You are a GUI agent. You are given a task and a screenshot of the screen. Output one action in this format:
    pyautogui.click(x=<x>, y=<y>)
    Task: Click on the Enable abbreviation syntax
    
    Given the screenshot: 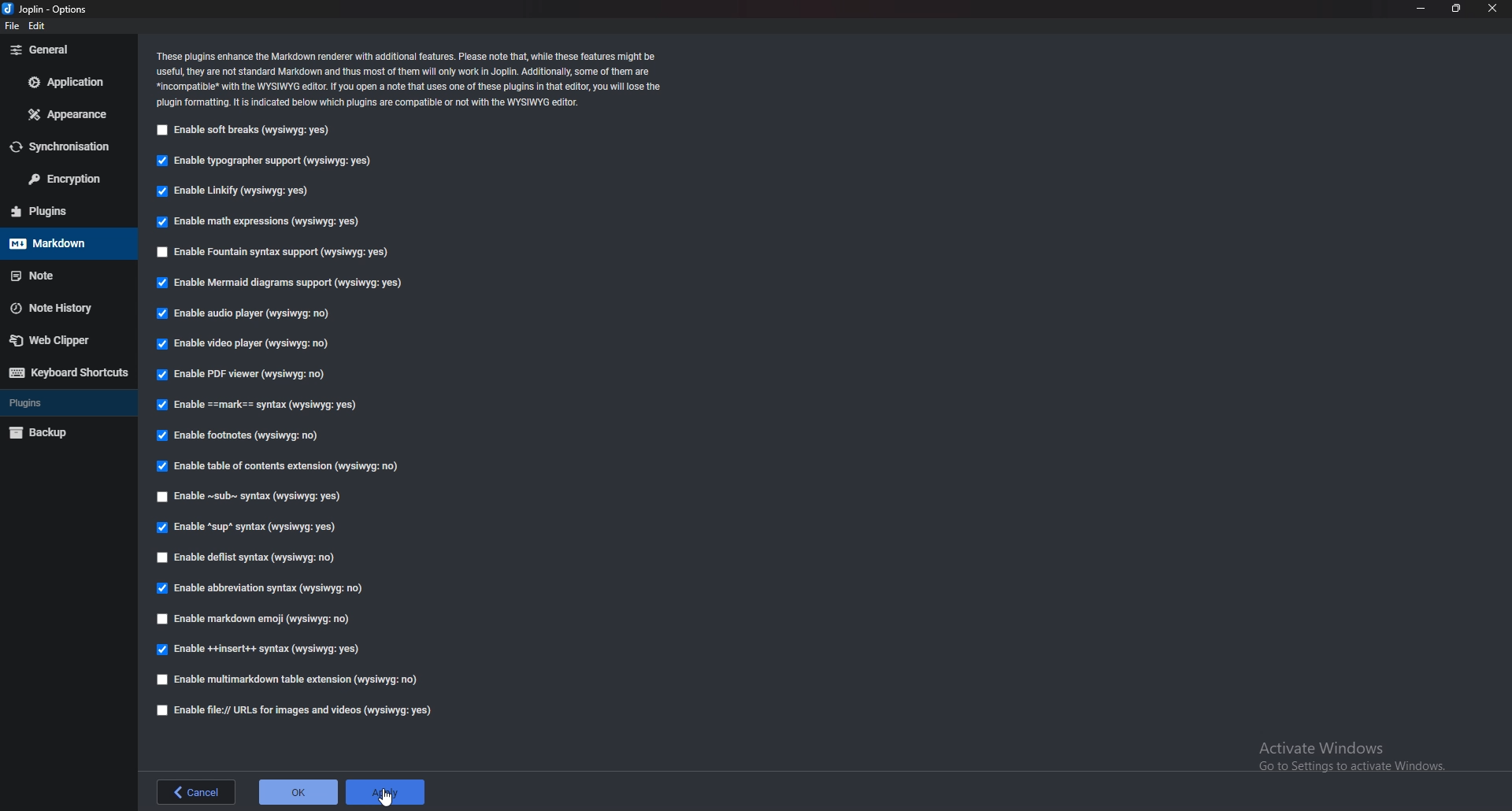 What is the action you would take?
    pyautogui.click(x=268, y=590)
    